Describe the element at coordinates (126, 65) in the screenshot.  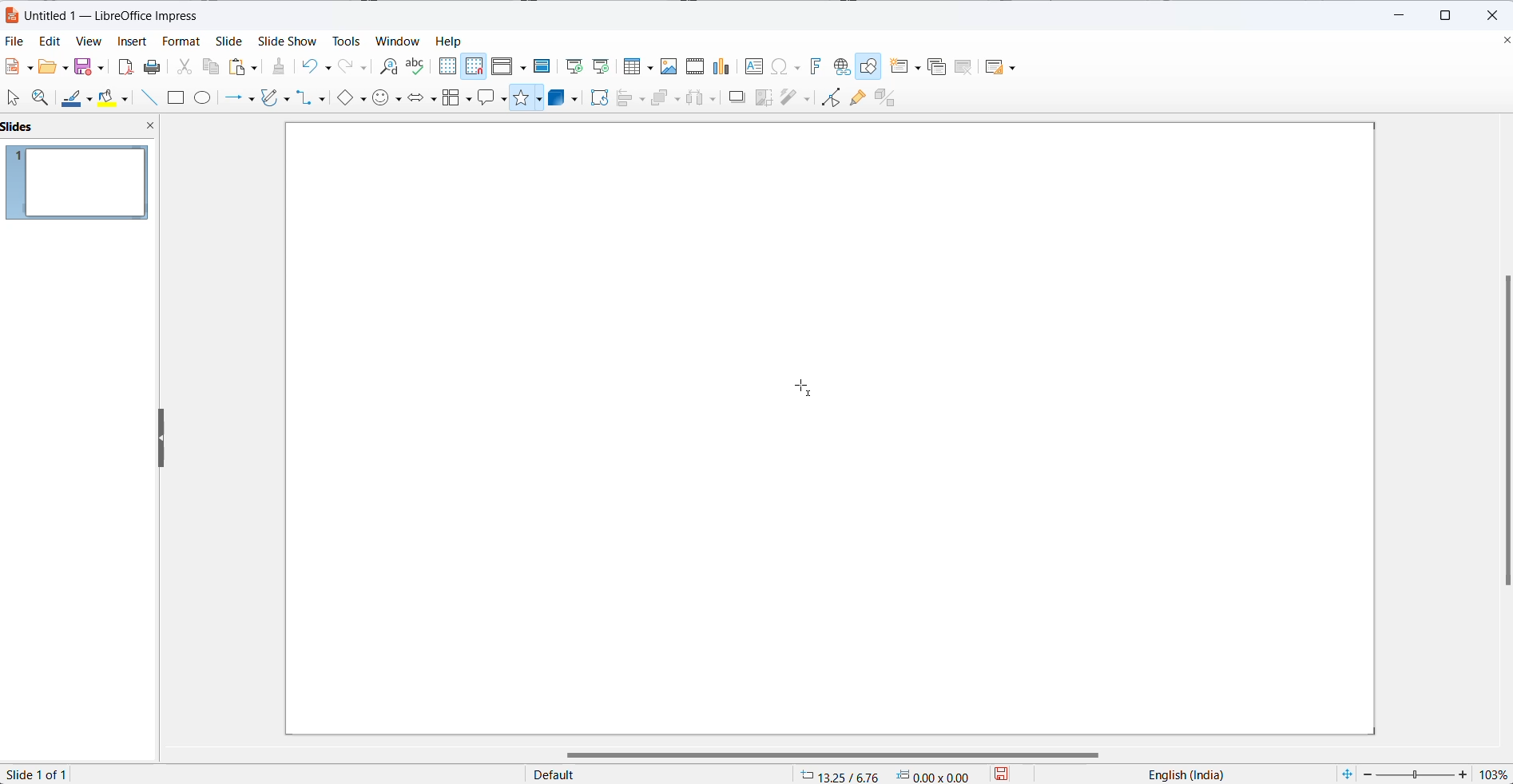
I see `export as pdf ` at that location.